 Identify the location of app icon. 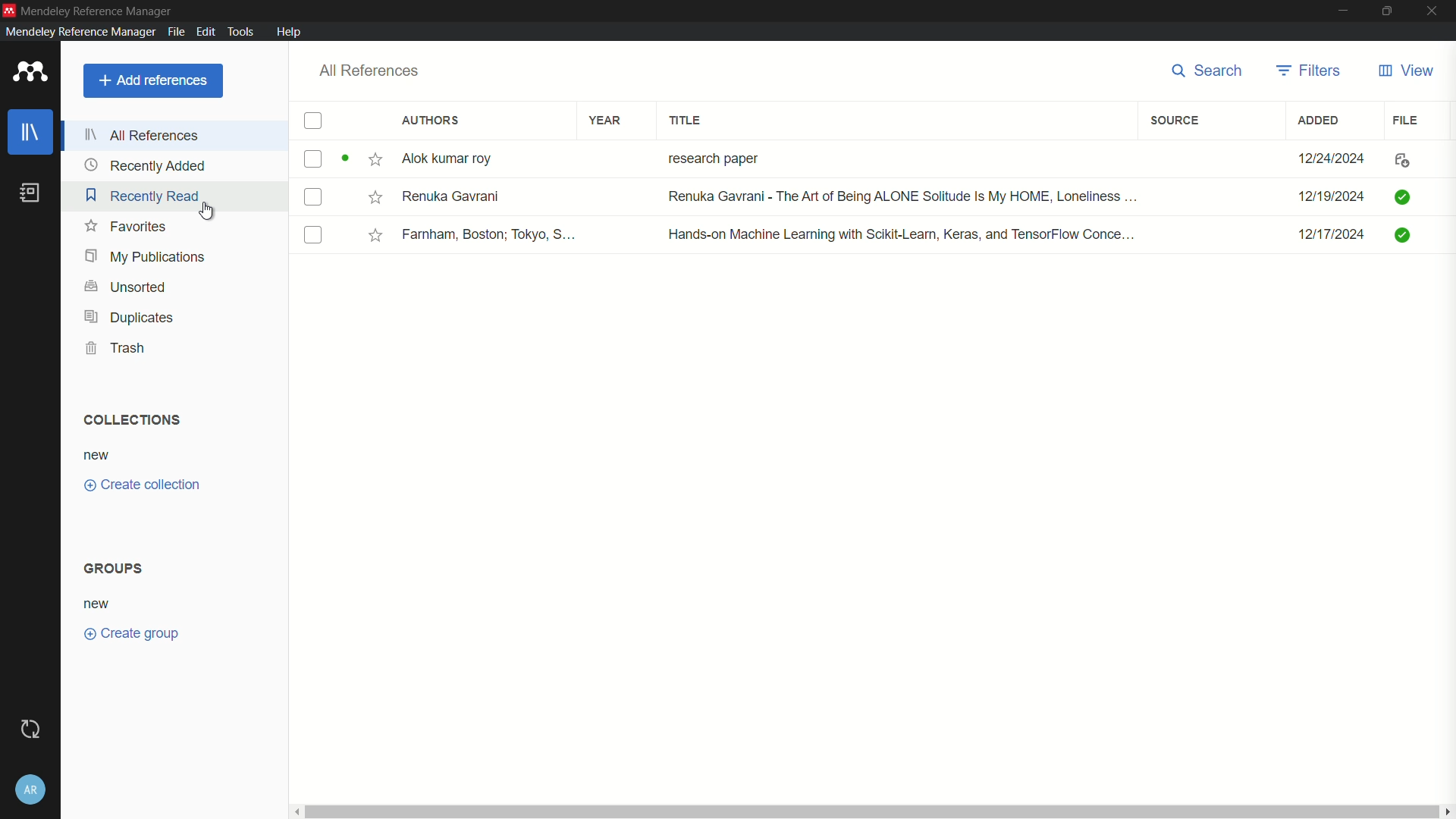
(30, 72).